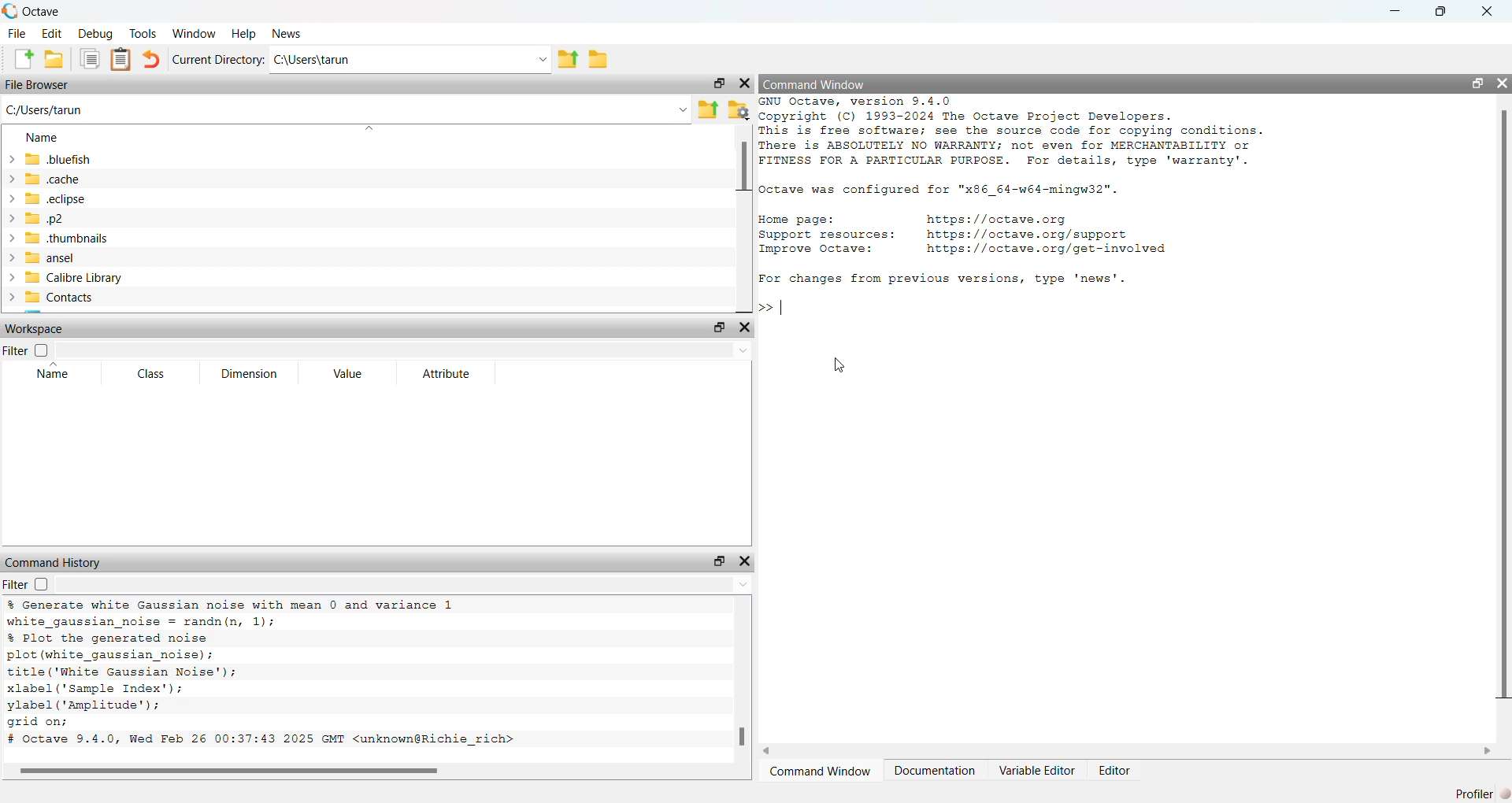 Image resolution: width=1512 pixels, height=803 pixels. I want to click on  Editor, so click(1114, 773).